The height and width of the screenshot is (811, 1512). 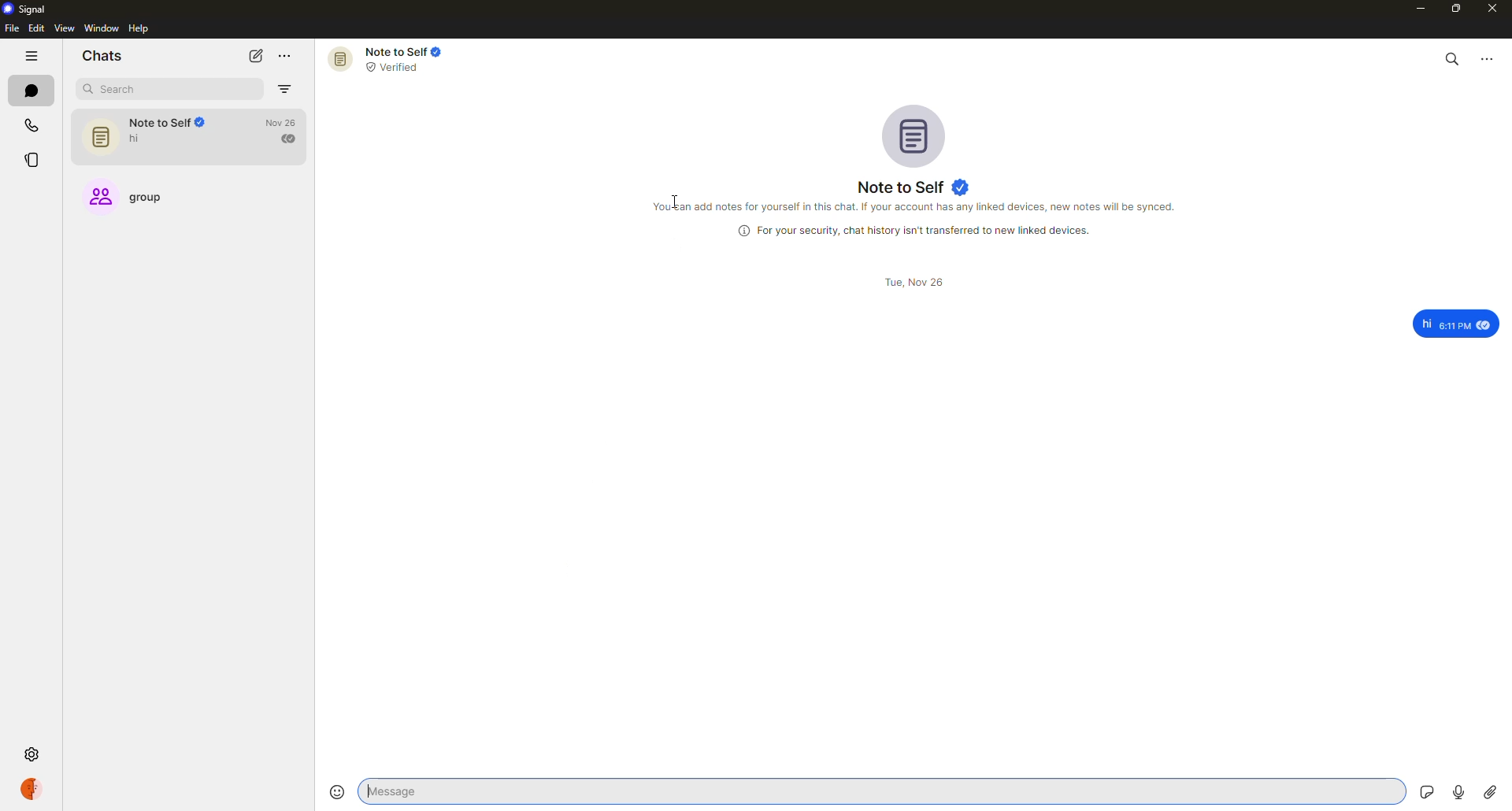 What do you see at coordinates (145, 89) in the screenshot?
I see `search` at bounding box center [145, 89].